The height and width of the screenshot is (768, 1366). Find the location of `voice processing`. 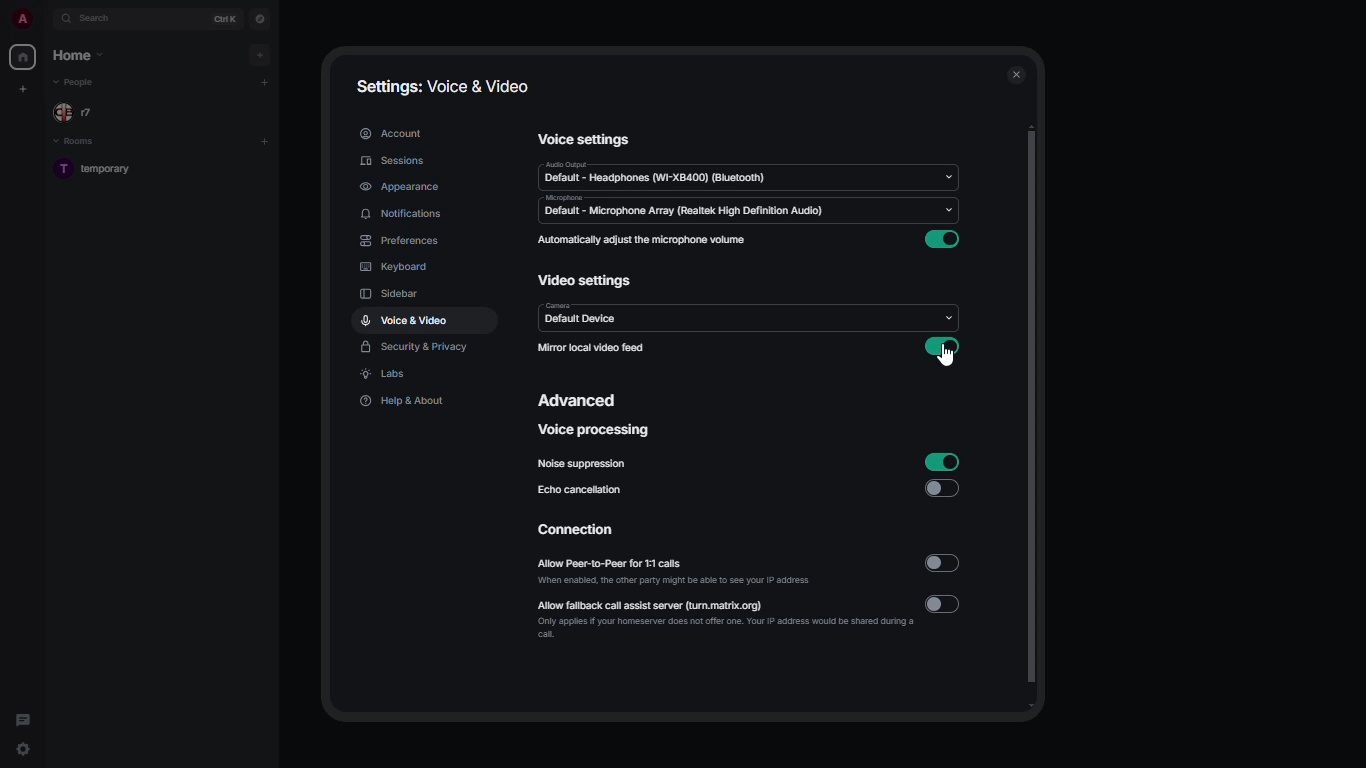

voice processing is located at coordinates (595, 432).